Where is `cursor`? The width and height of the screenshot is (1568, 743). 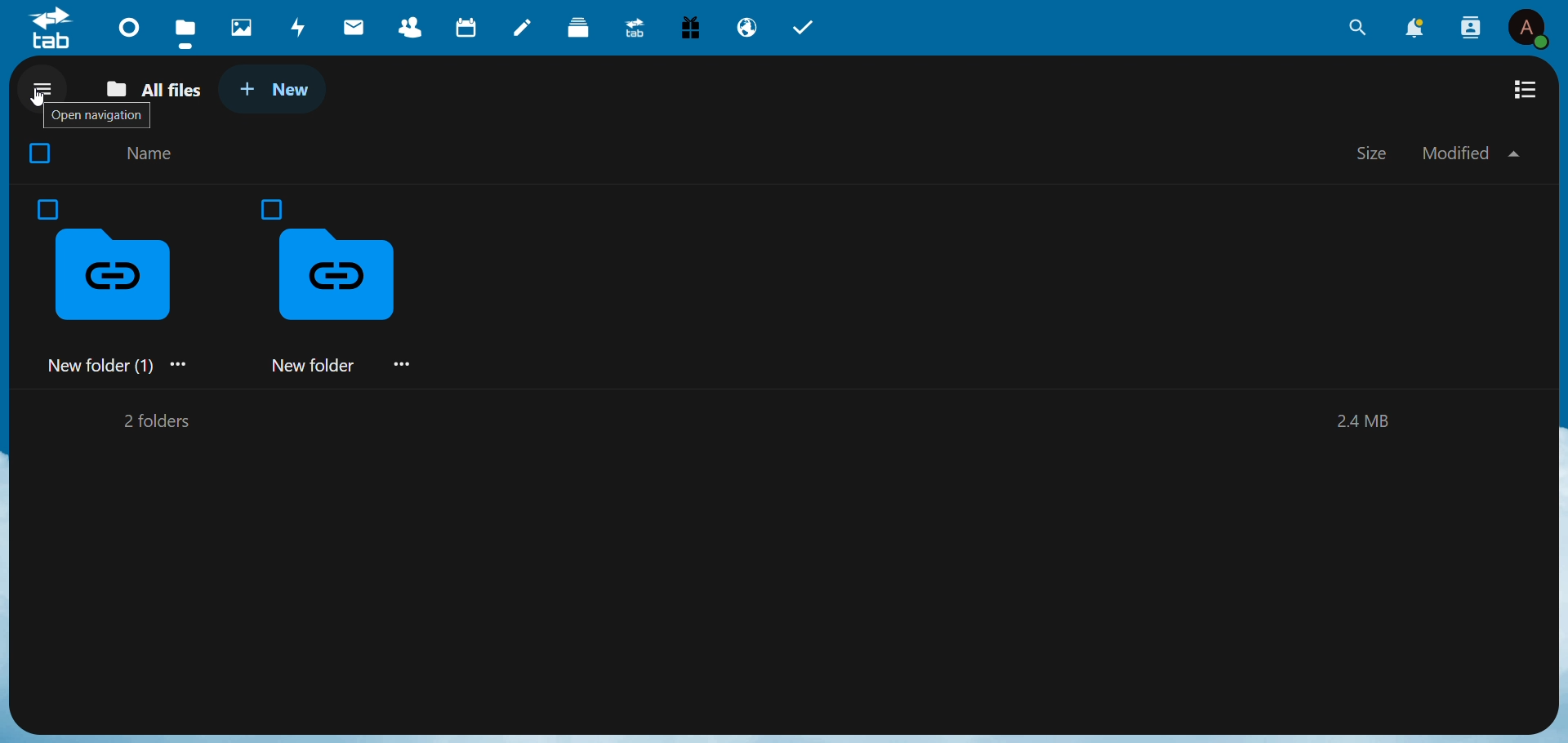
cursor is located at coordinates (39, 98).